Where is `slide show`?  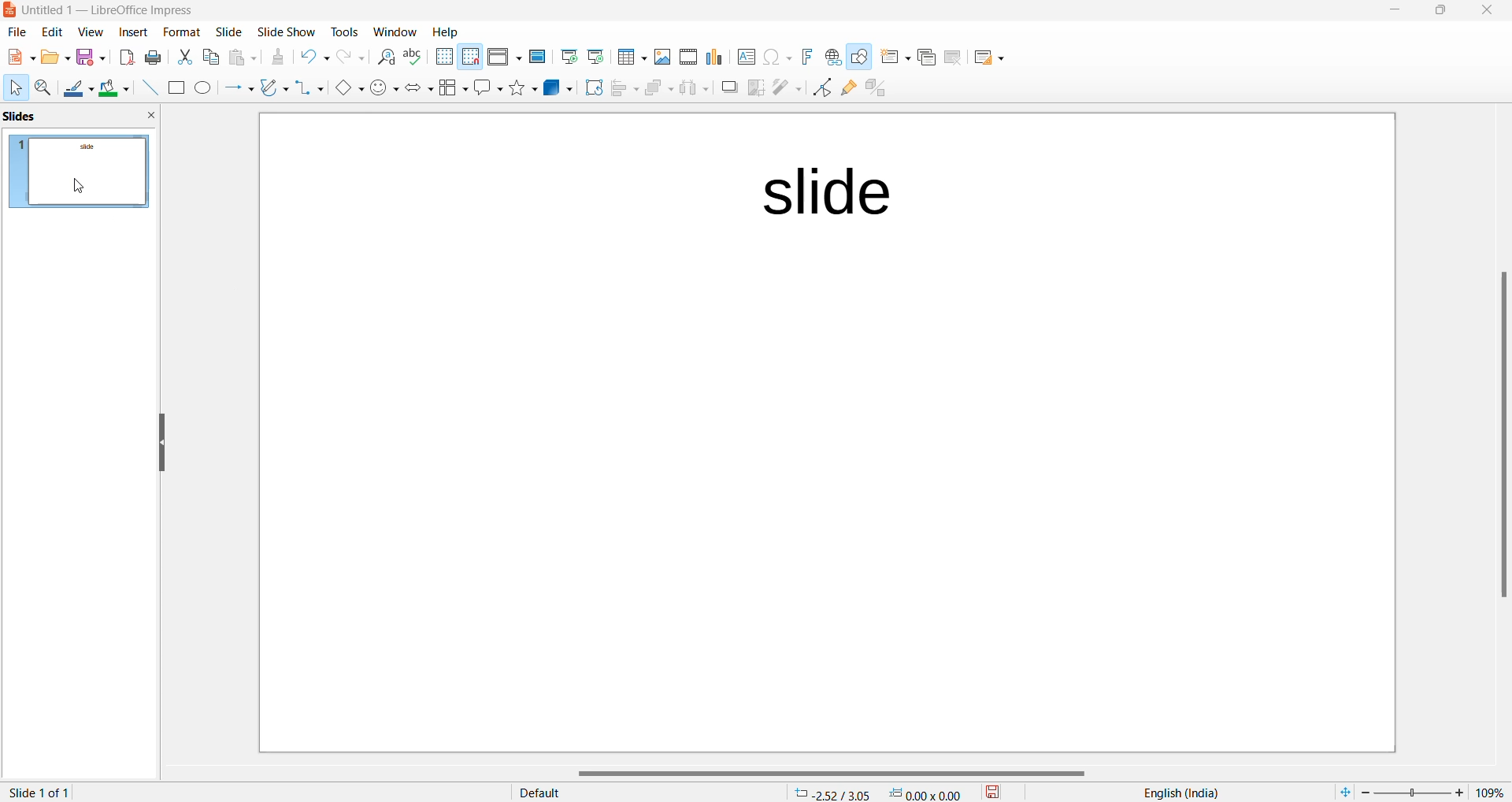 slide show is located at coordinates (287, 33).